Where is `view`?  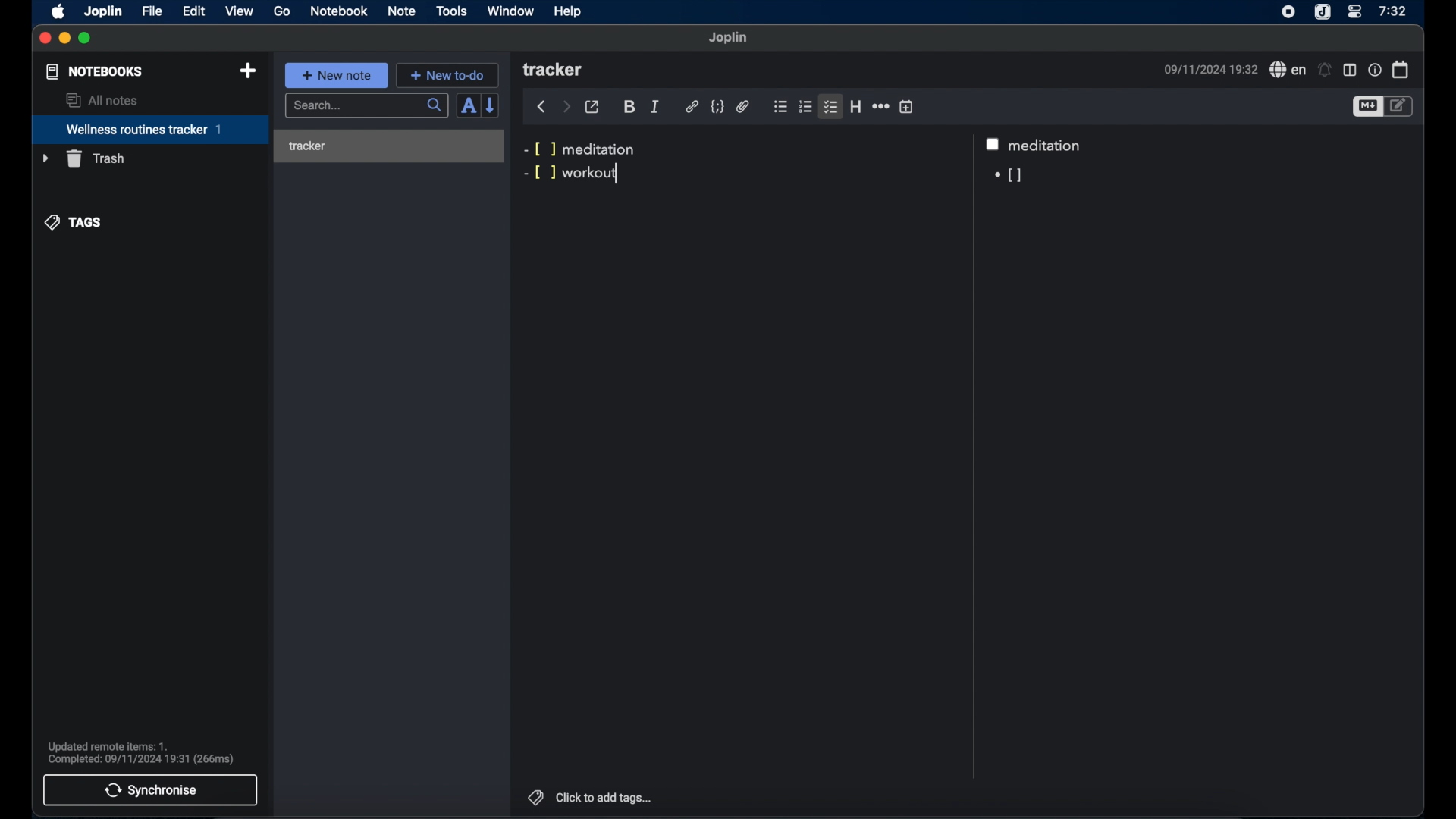
view is located at coordinates (239, 11).